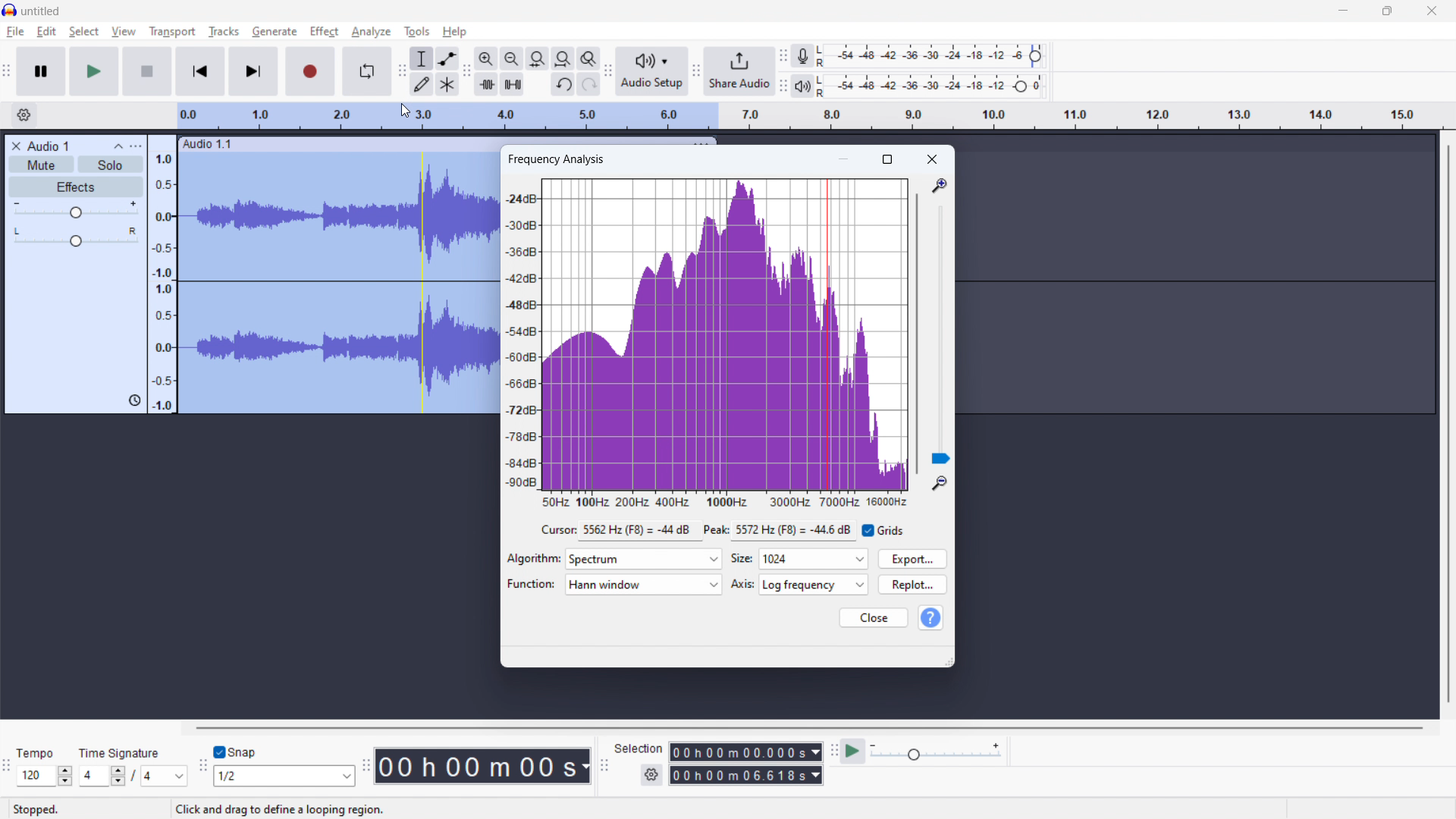 The width and height of the screenshot is (1456, 819). Describe the element at coordinates (557, 530) in the screenshot. I see `Cursor` at that location.